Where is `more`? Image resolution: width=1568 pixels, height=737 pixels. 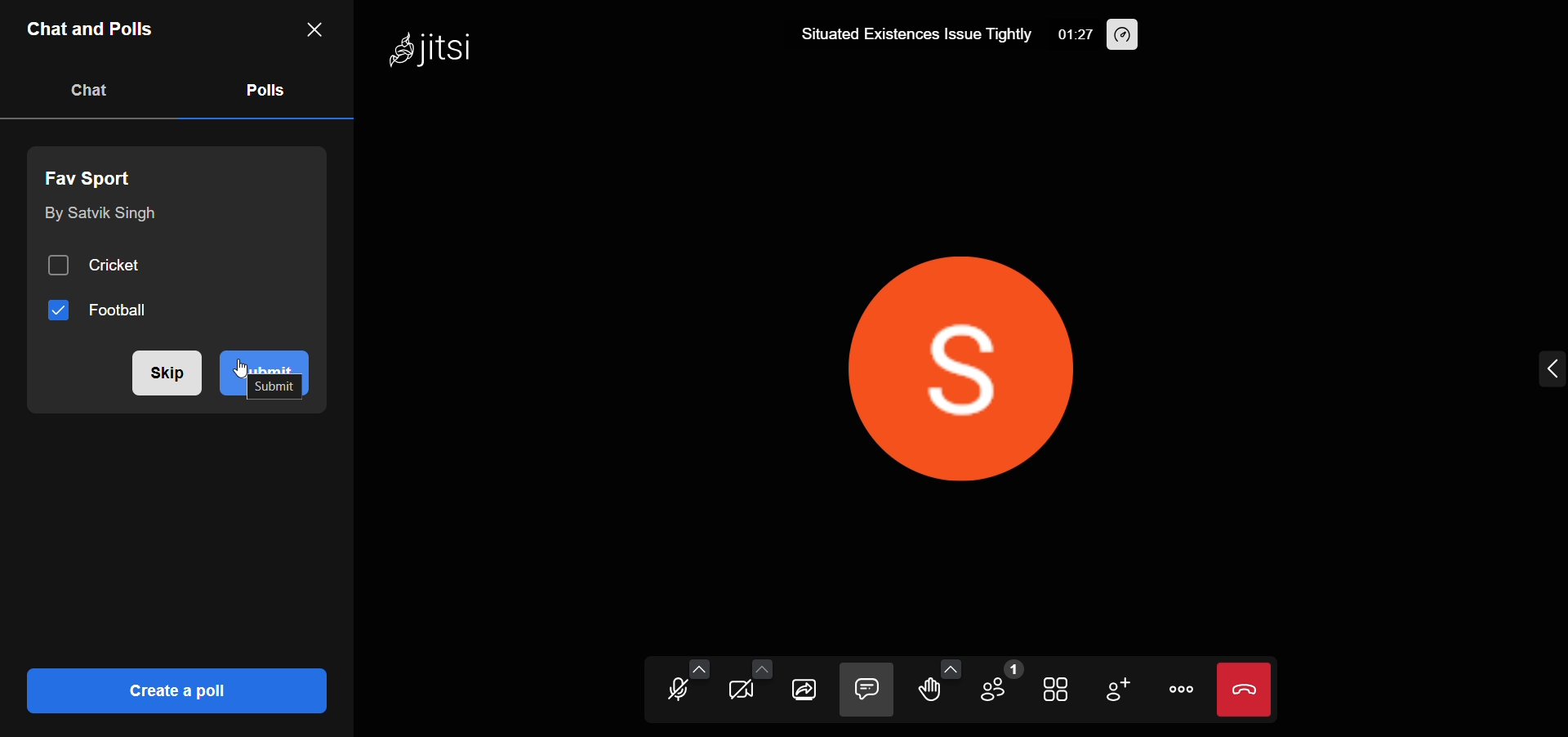
more is located at coordinates (1181, 689).